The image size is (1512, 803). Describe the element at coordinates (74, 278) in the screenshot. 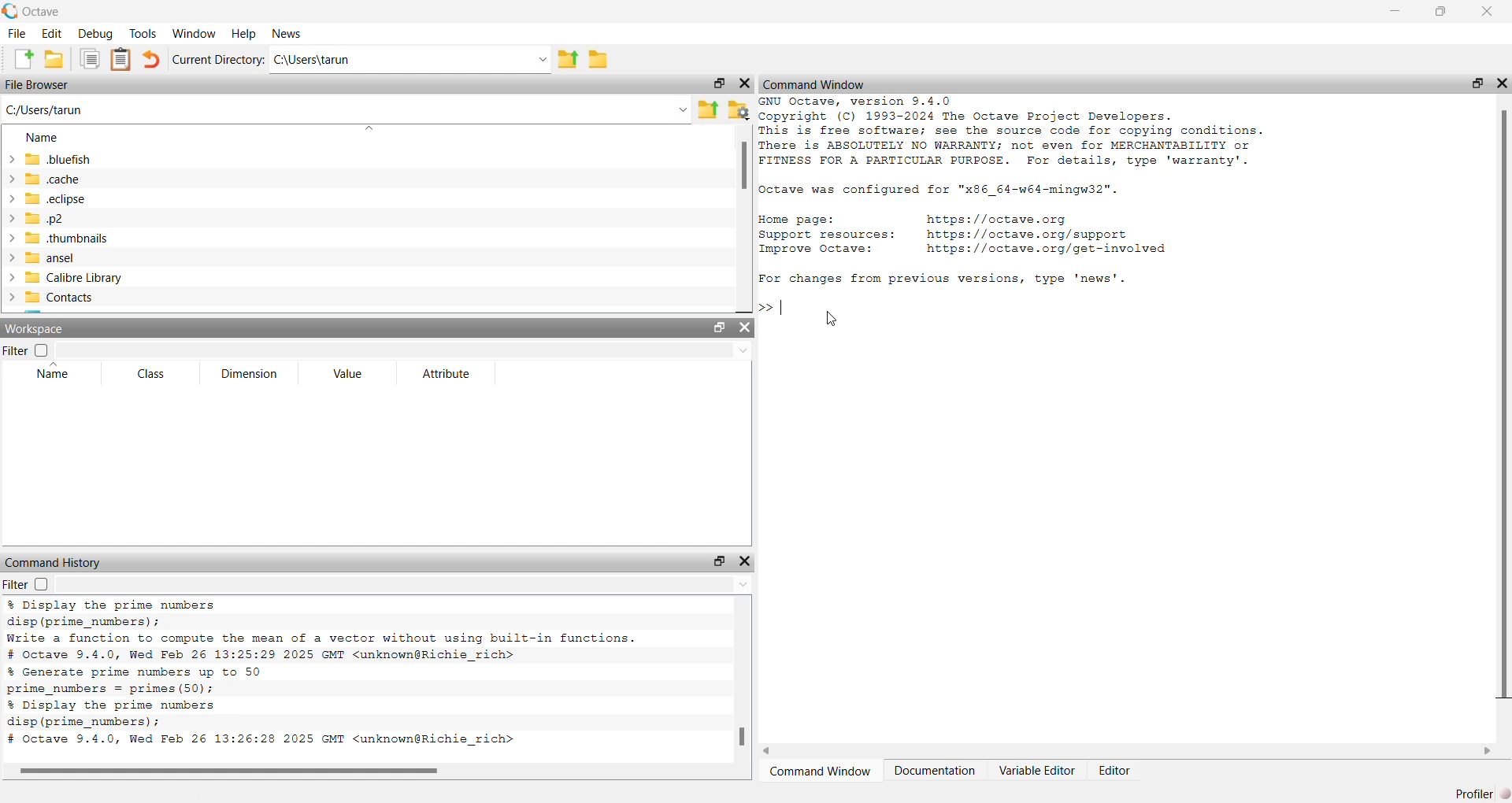

I see `Calibre Library` at that location.